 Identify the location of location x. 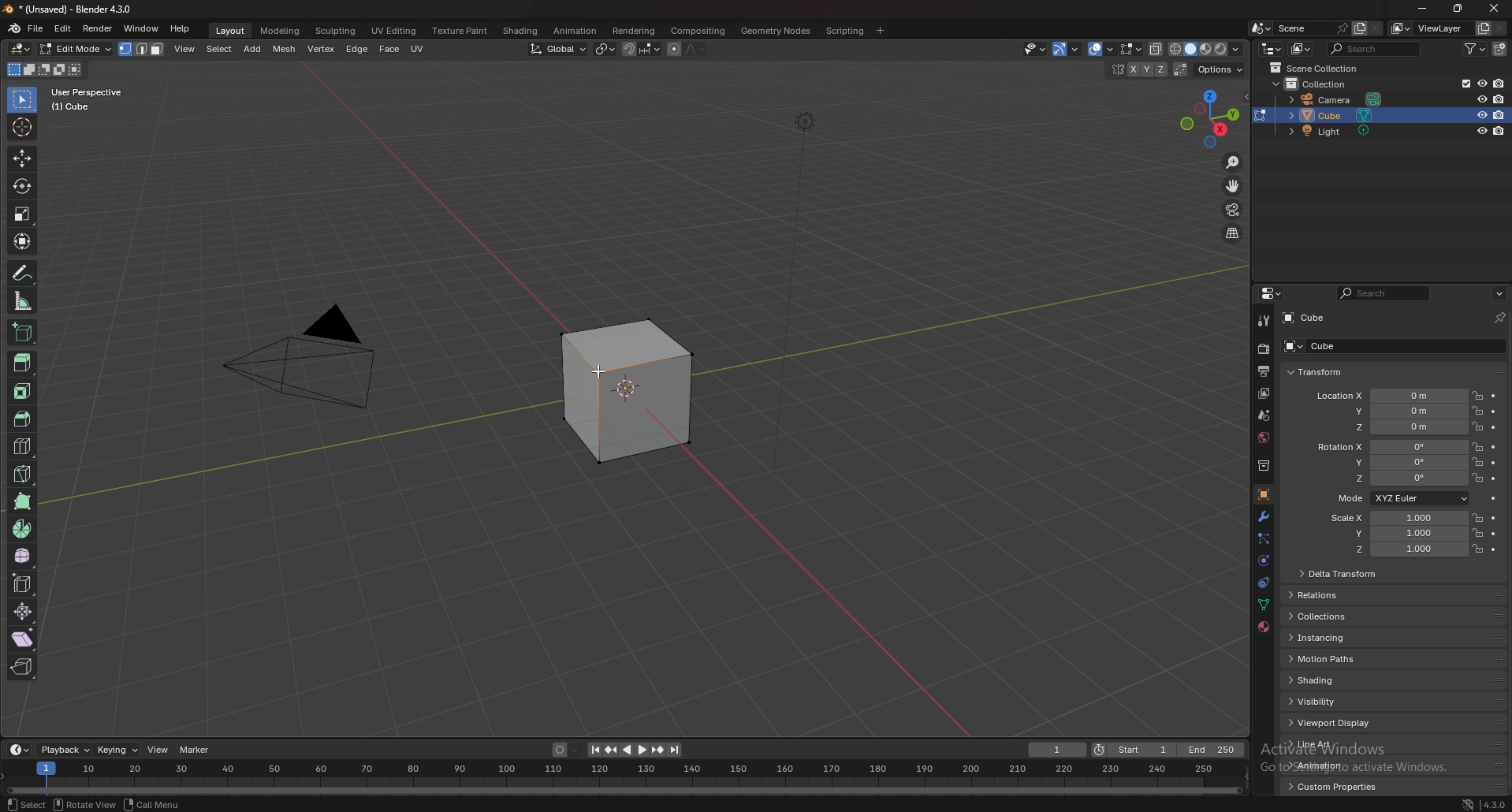
(1389, 397).